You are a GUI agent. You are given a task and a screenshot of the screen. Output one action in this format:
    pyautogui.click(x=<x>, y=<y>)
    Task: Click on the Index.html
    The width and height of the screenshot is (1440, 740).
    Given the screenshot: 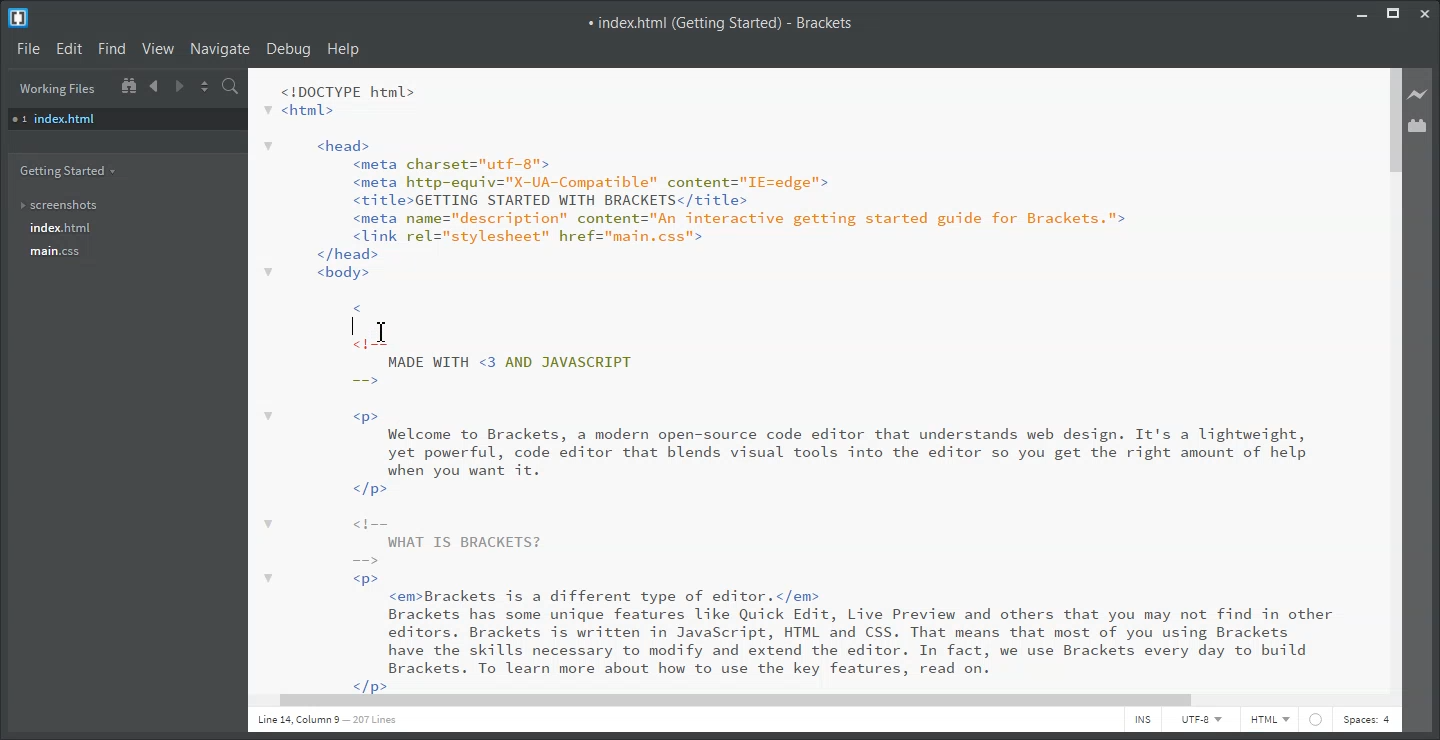 What is the action you would take?
    pyautogui.click(x=126, y=119)
    